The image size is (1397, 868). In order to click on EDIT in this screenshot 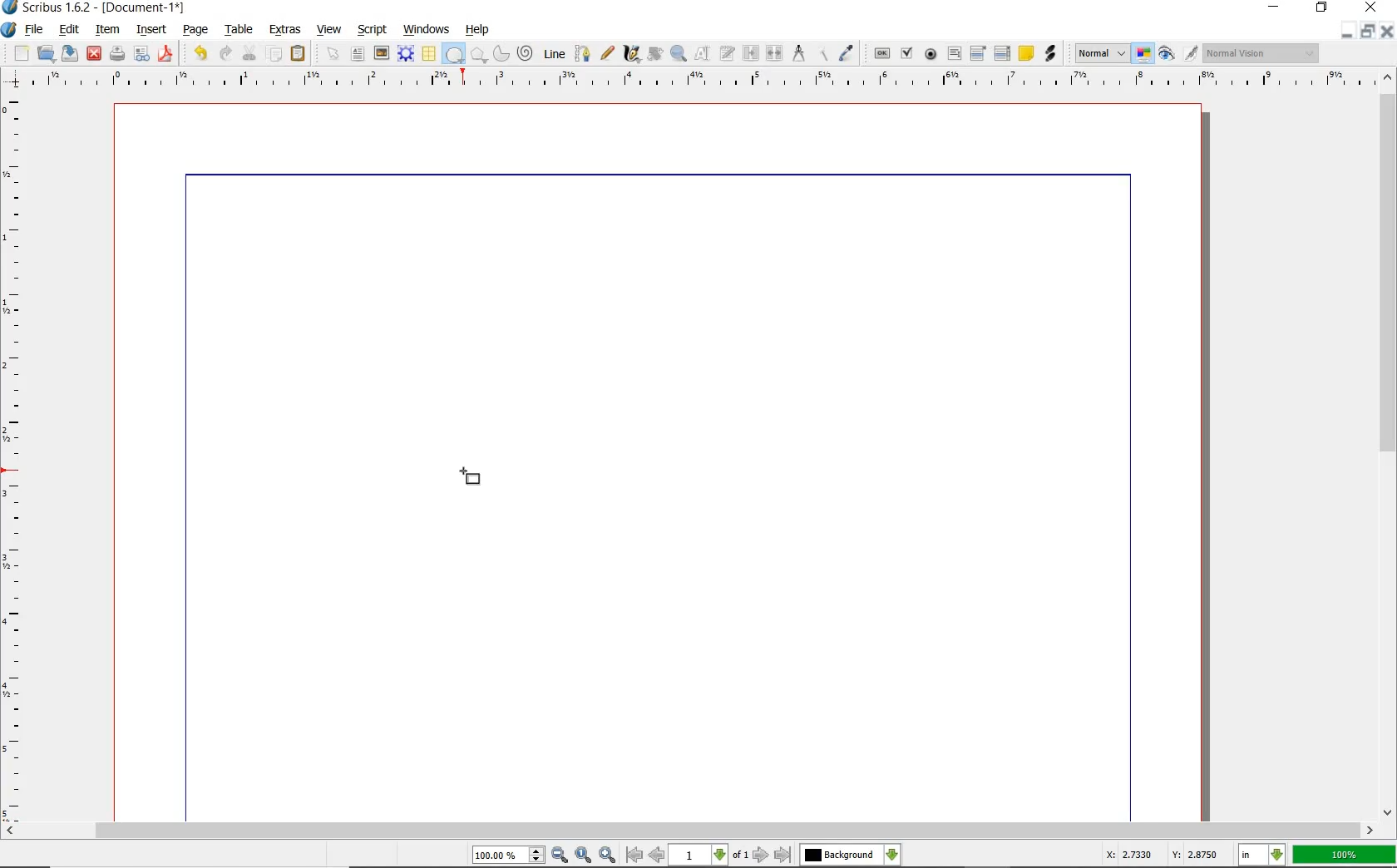, I will do `click(68, 31)`.